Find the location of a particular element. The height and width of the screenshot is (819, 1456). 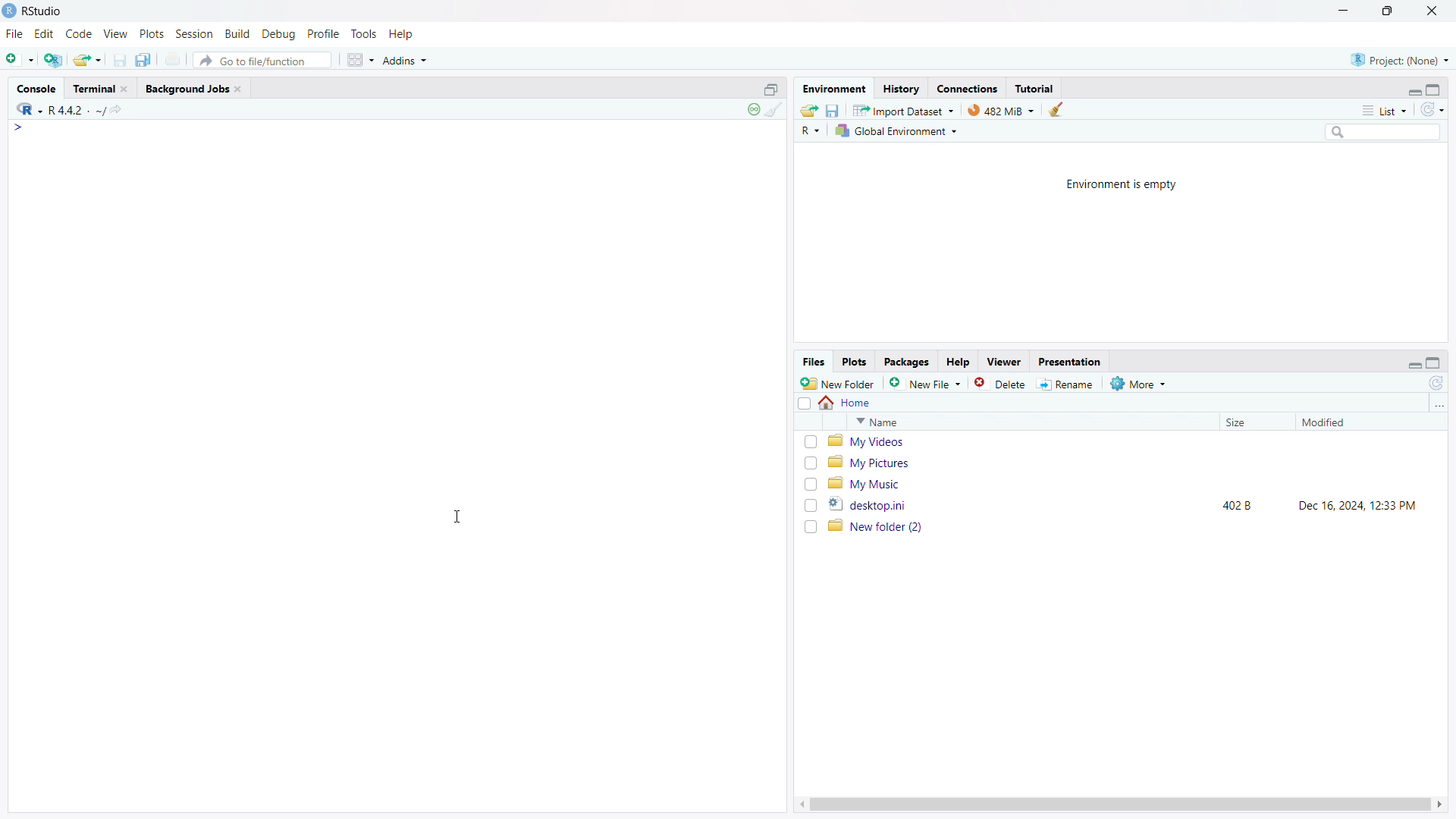

close is located at coordinates (1432, 11).